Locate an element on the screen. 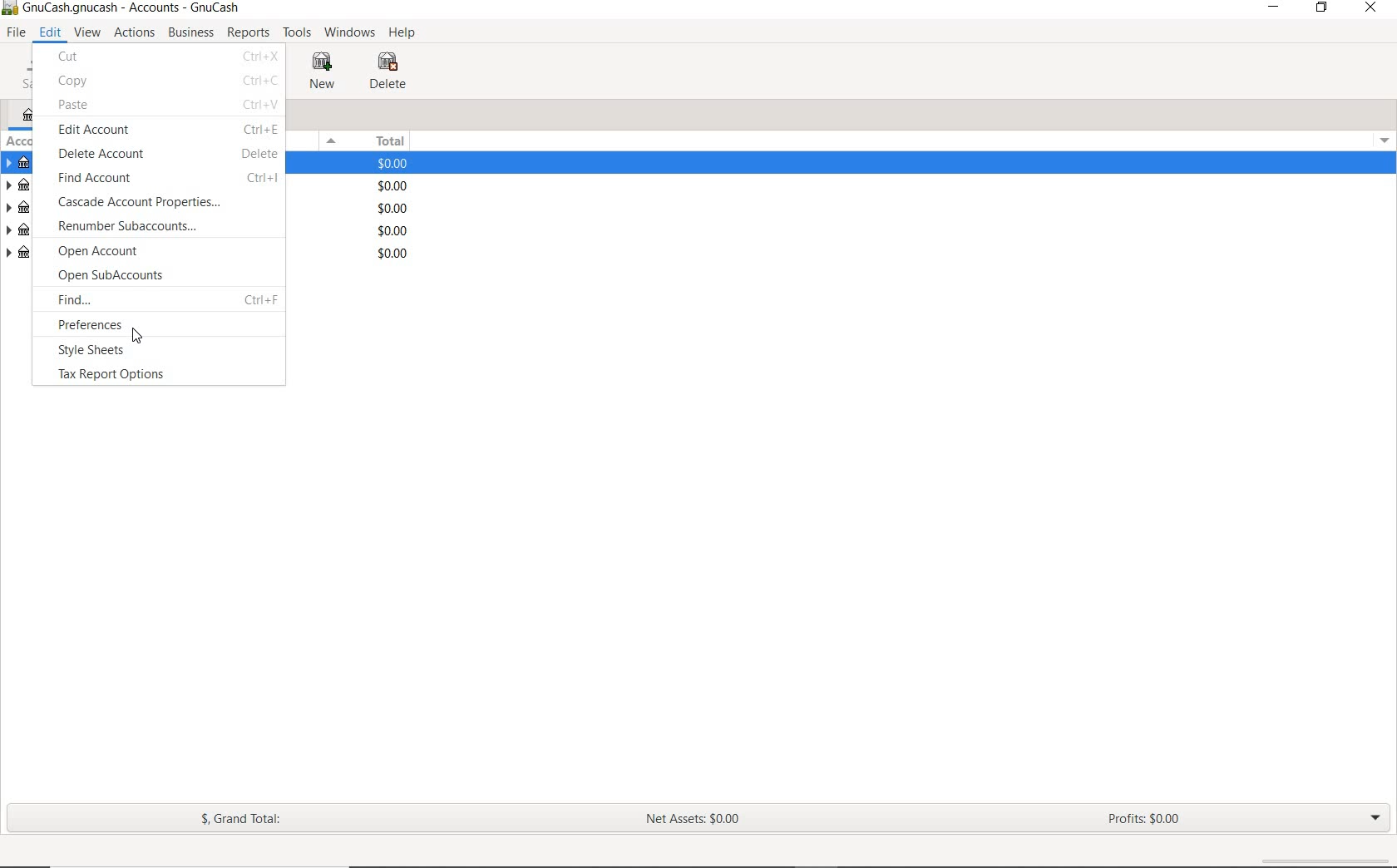  BUSINESS is located at coordinates (192, 33).